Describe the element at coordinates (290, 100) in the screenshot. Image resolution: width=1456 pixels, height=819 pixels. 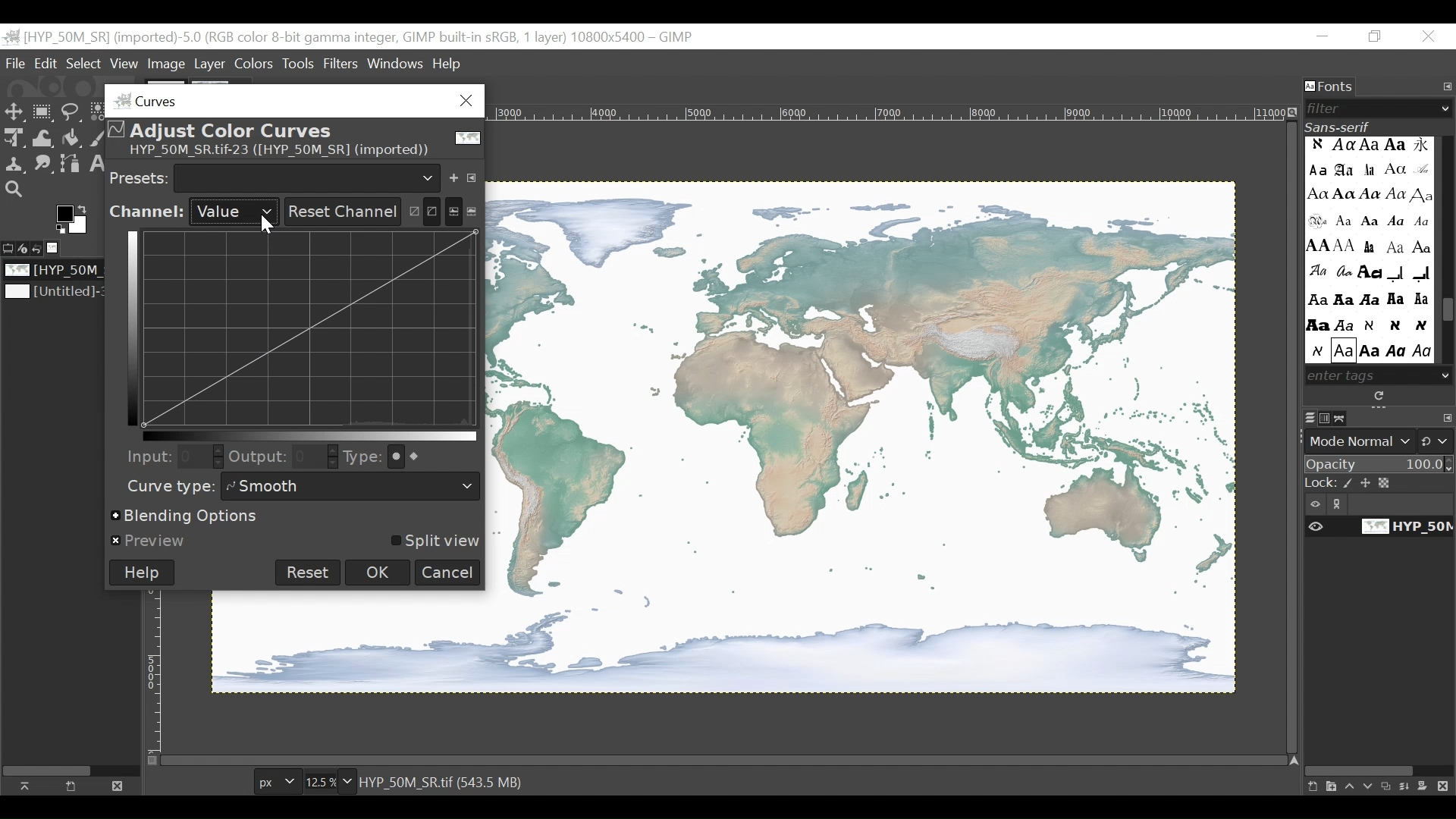
I see `Curves` at that location.